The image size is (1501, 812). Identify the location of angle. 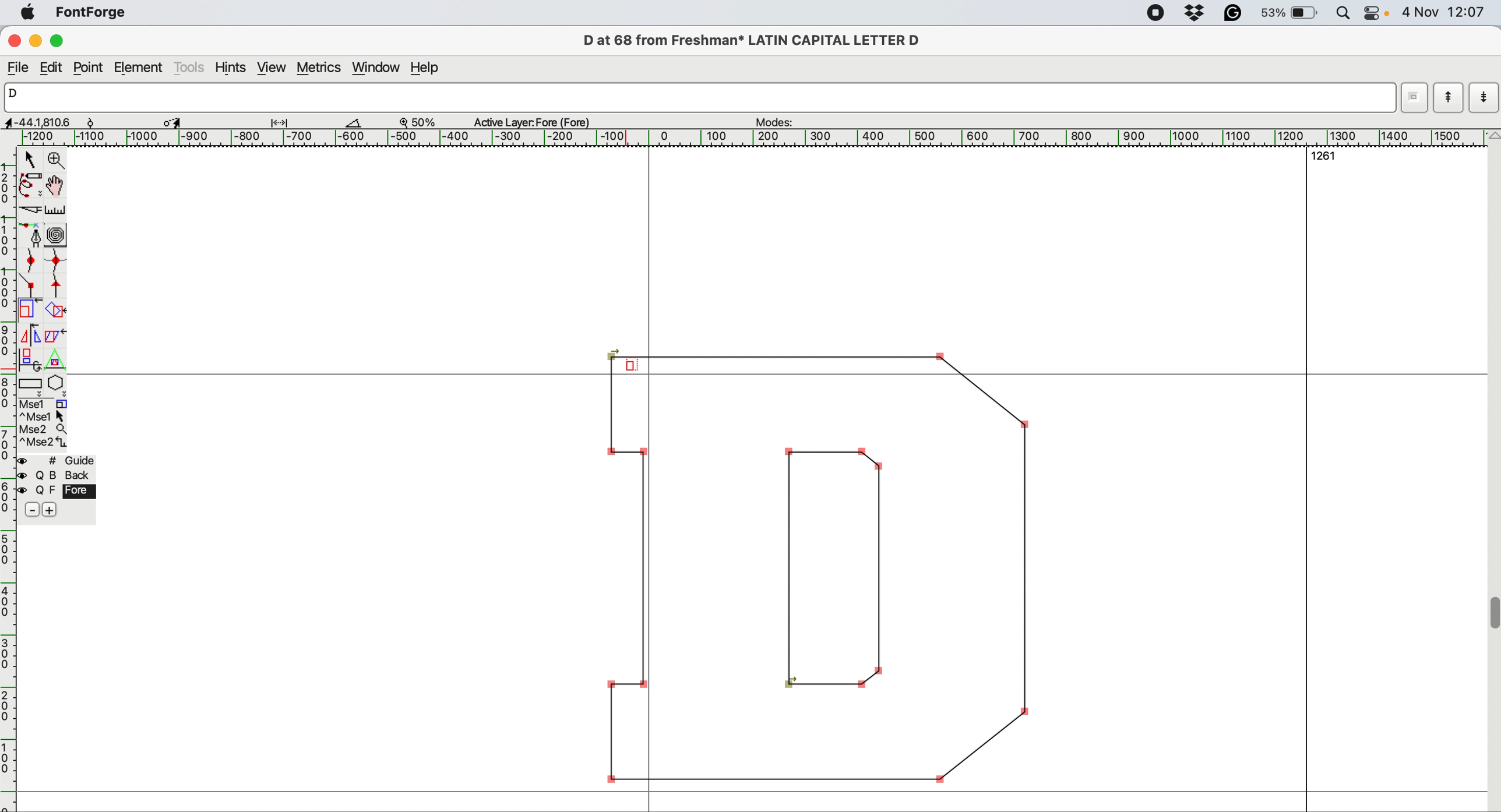
(352, 123).